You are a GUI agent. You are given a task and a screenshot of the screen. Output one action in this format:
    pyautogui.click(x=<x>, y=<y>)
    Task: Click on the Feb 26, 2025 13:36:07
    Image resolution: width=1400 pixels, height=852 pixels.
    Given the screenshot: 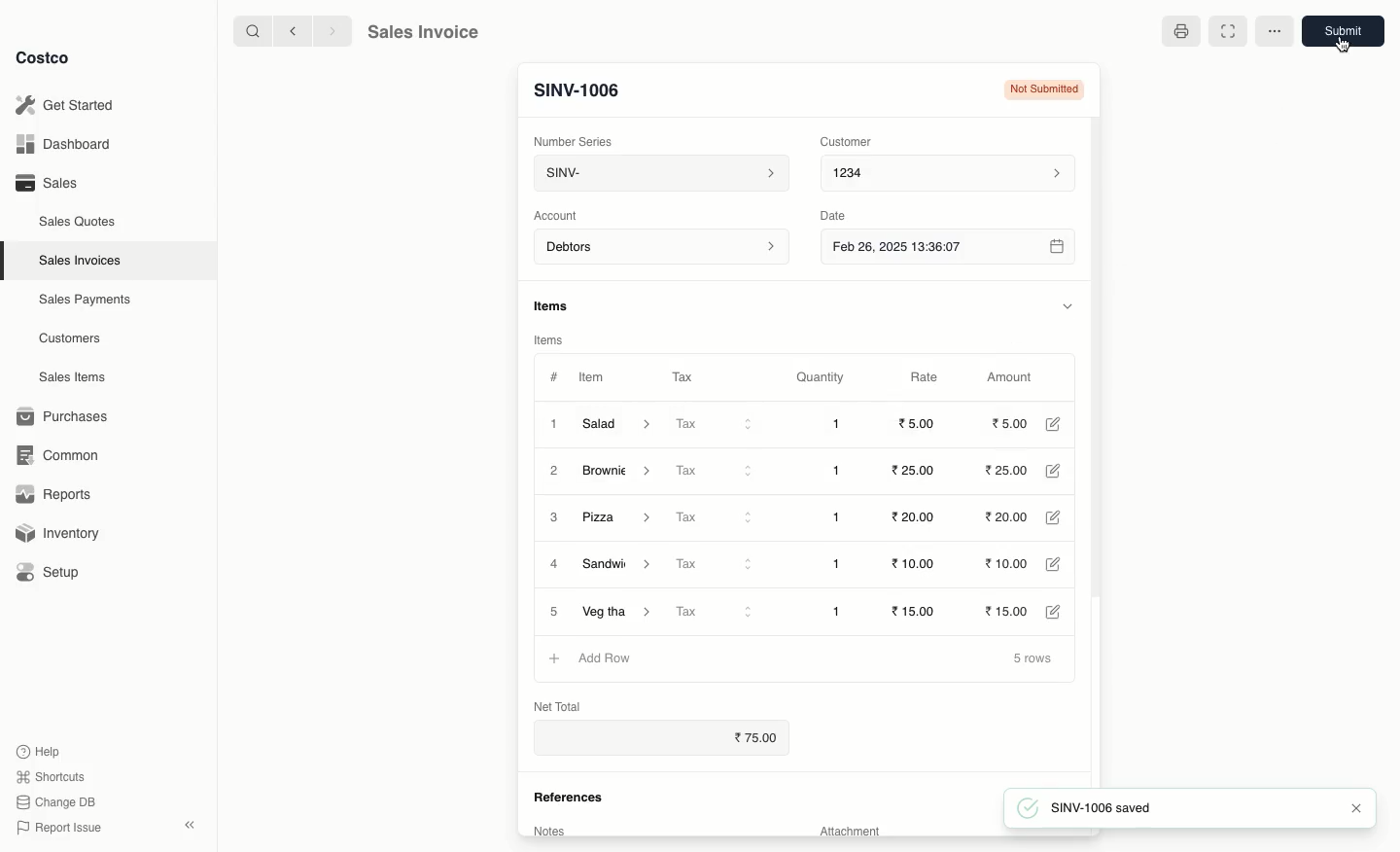 What is the action you would take?
    pyautogui.click(x=950, y=246)
    